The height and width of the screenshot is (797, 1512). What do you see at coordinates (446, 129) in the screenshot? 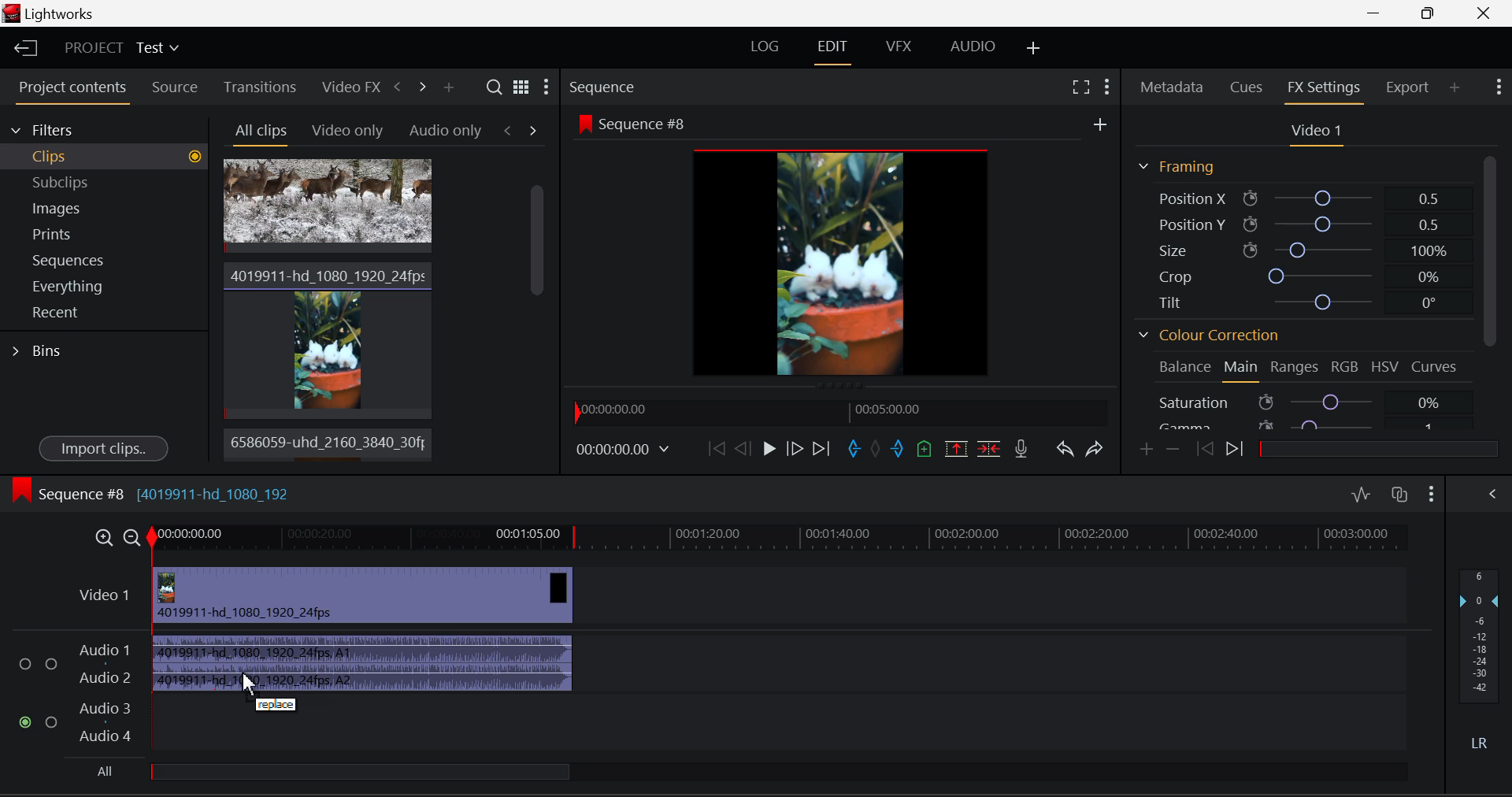
I see `Audio only` at bounding box center [446, 129].